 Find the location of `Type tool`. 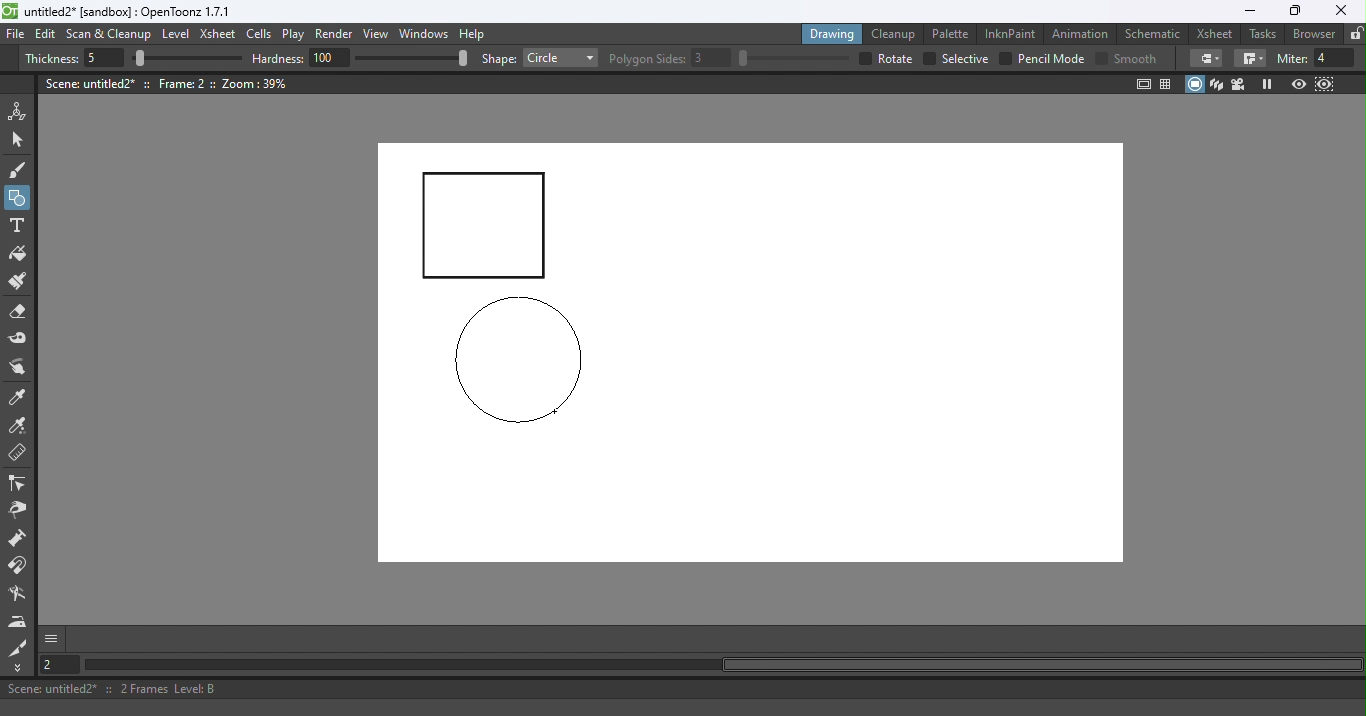

Type tool is located at coordinates (17, 227).